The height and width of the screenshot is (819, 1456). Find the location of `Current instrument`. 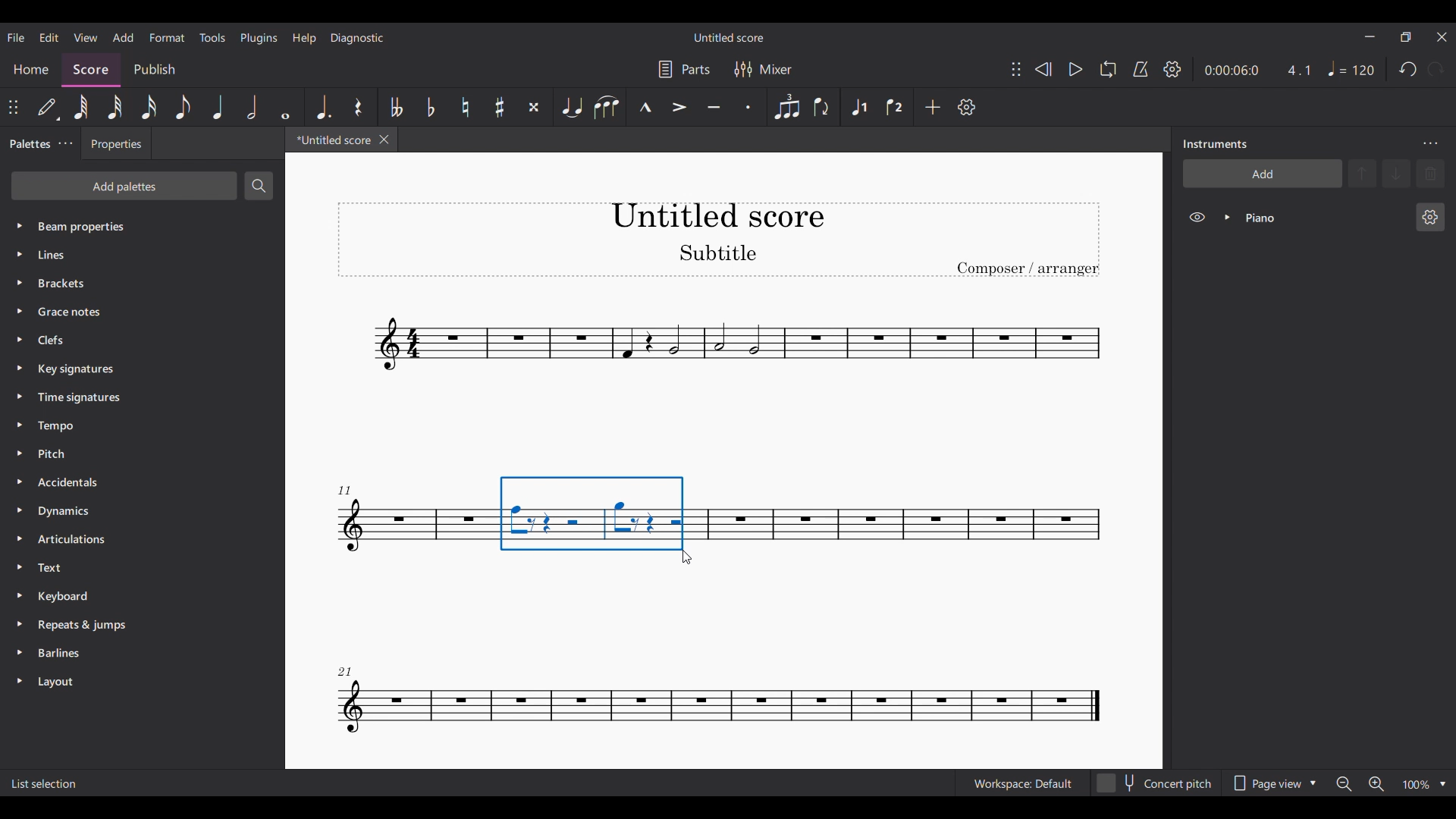

Current instrument is located at coordinates (1324, 218).